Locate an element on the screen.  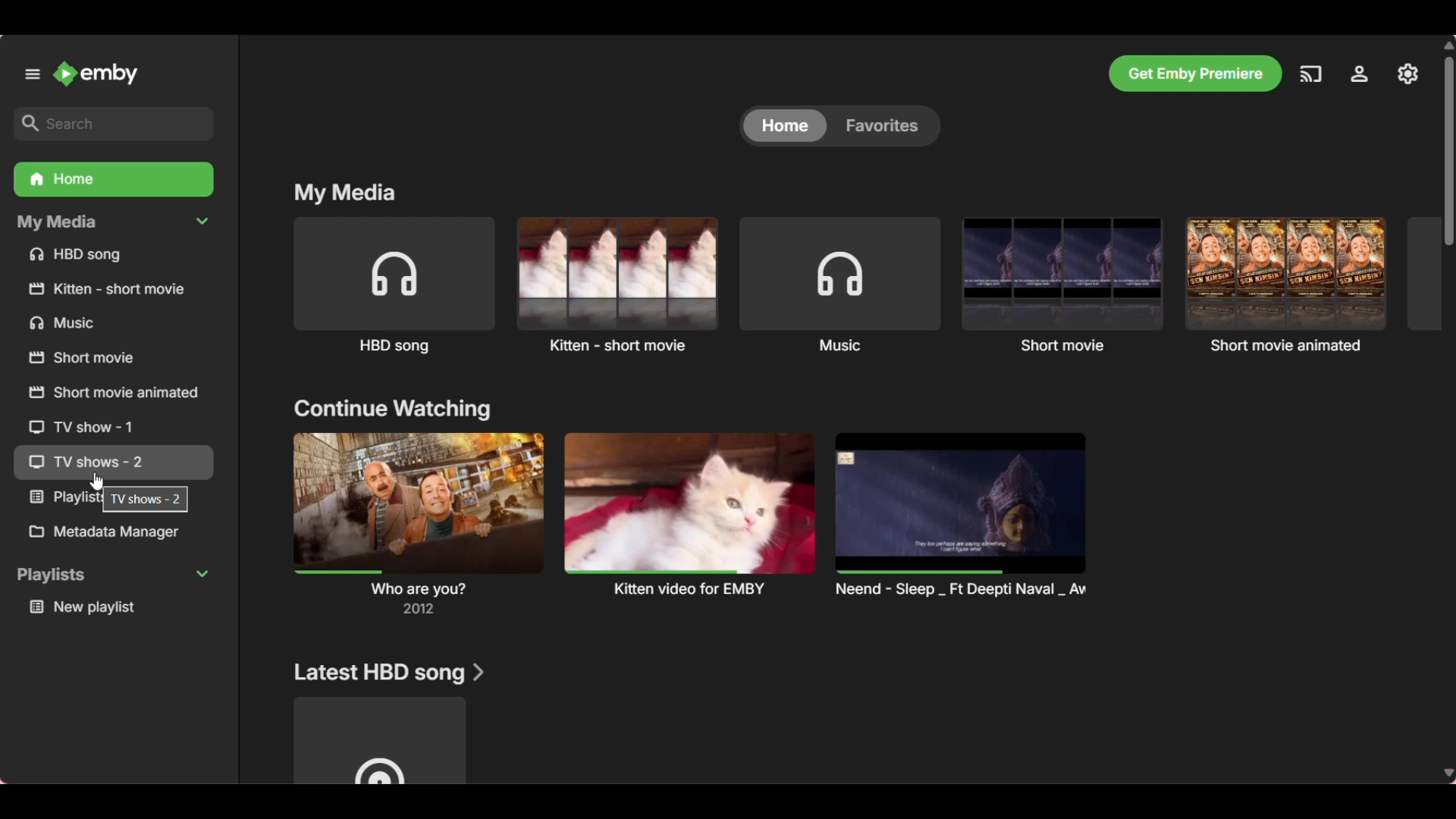
Media under above mentioned title is located at coordinates (380, 740).